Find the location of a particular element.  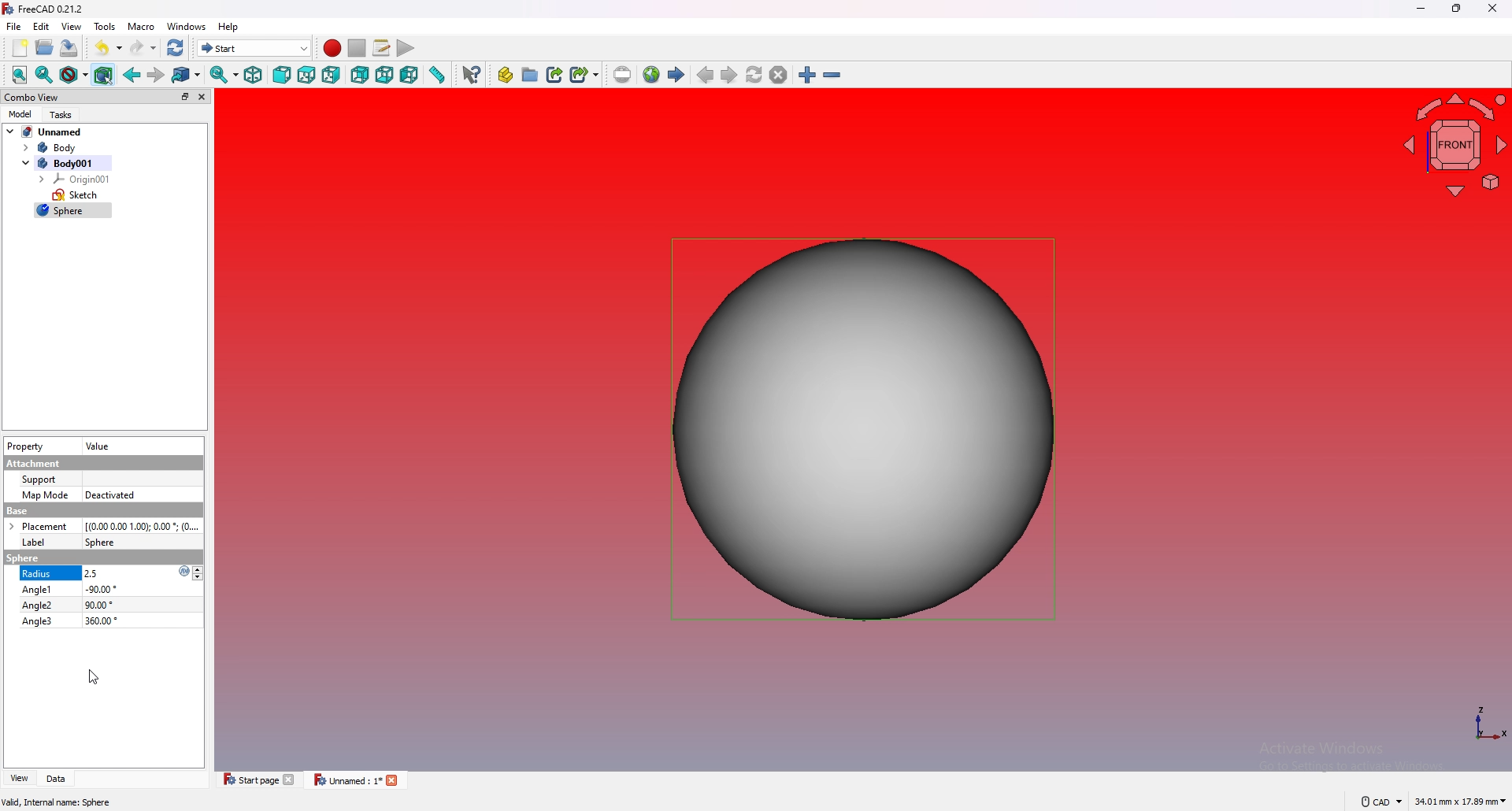

windows is located at coordinates (187, 27).